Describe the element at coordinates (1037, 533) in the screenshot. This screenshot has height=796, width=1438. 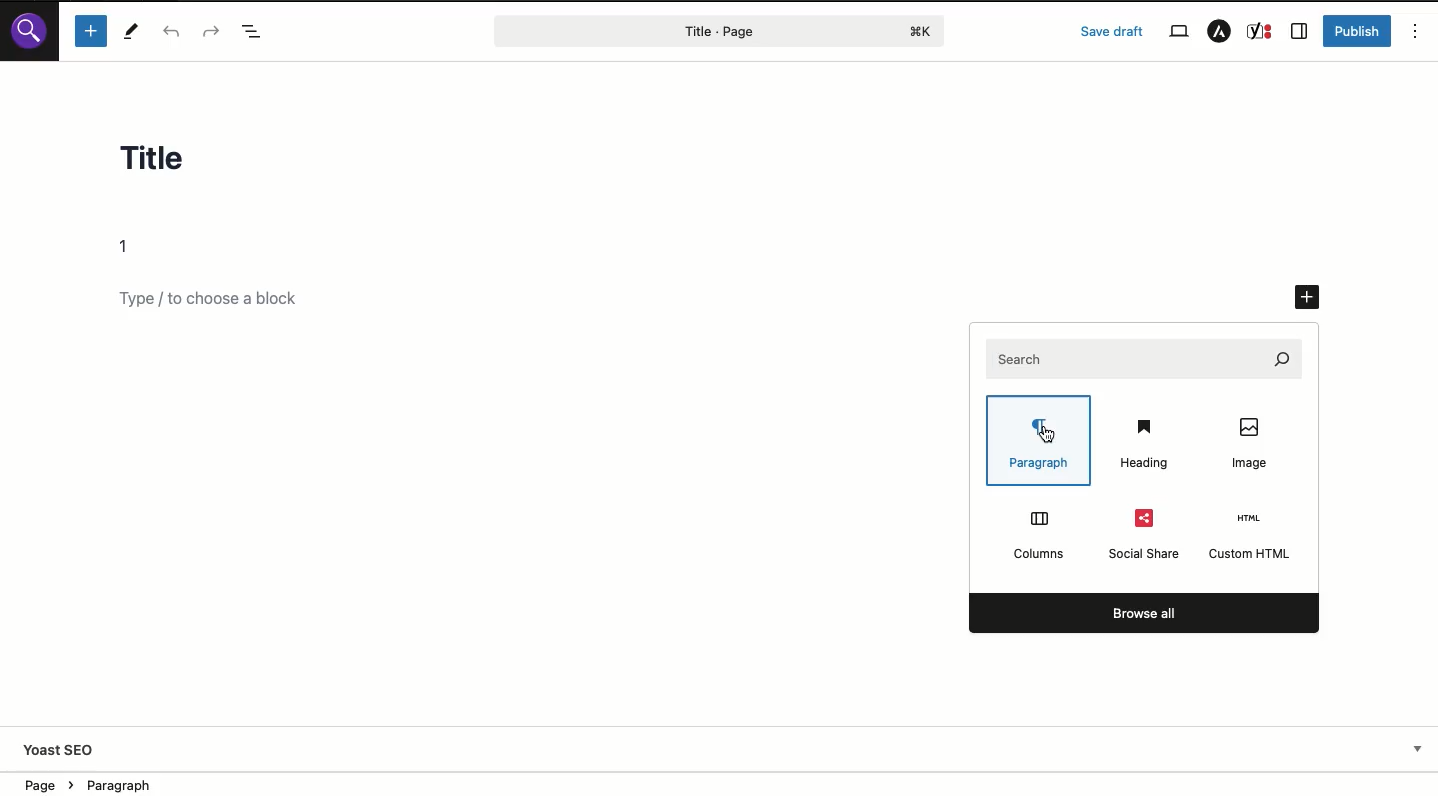
I see `Columns` at that location.